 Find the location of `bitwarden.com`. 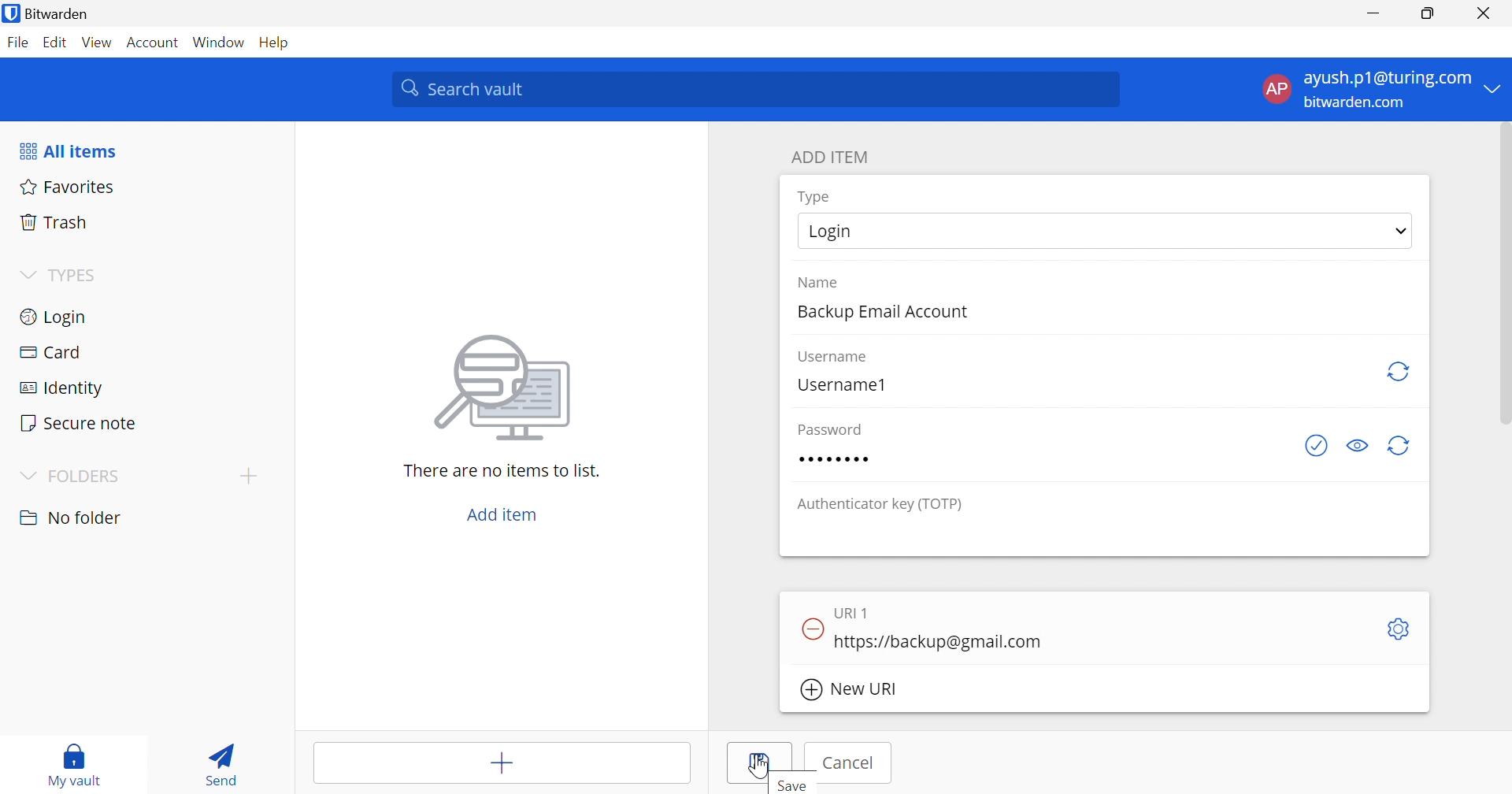

bitwarden.com is located at coordinates (1358, 103).